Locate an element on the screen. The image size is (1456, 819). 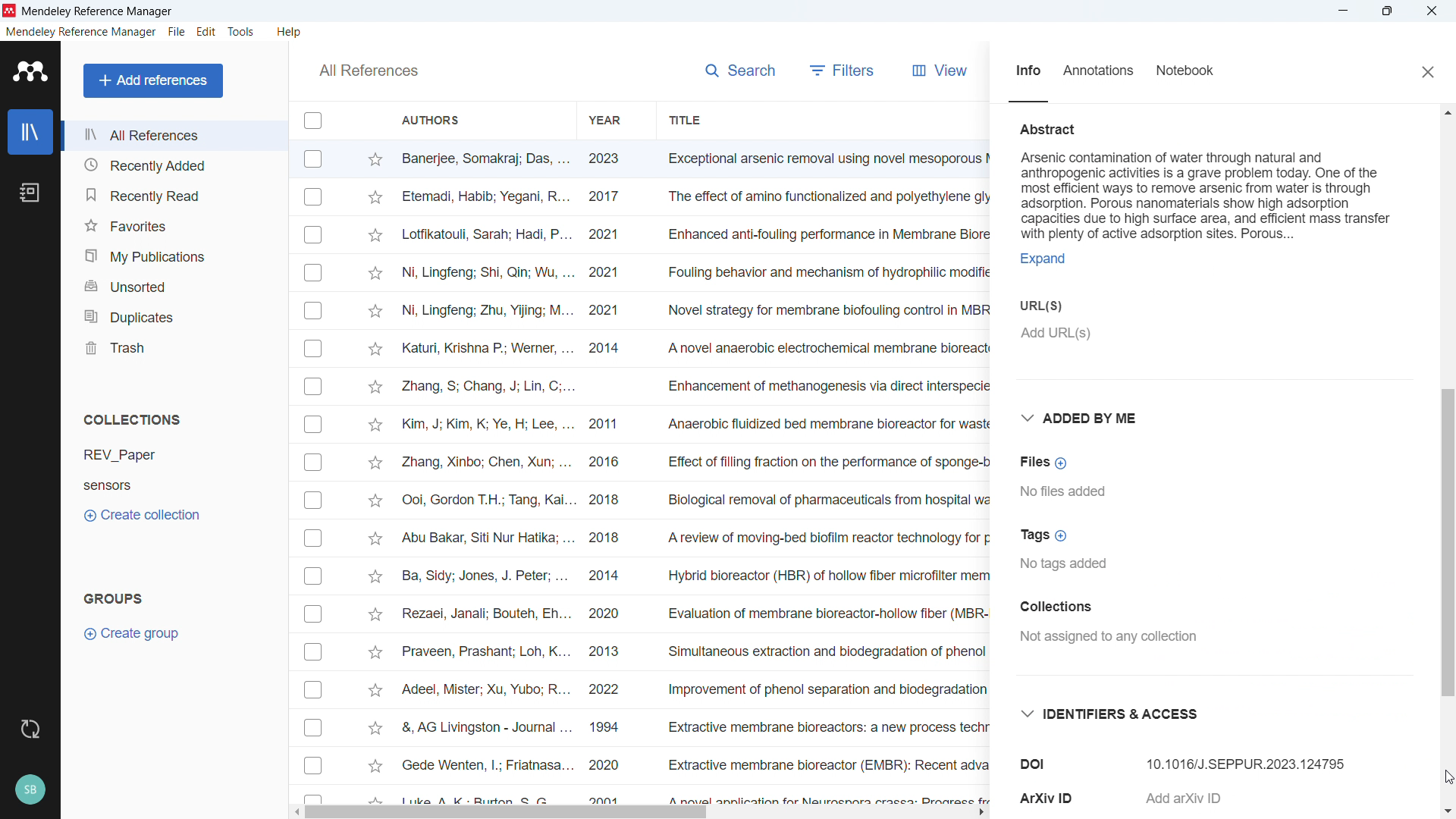
collections is located at coordinates (134, 419).